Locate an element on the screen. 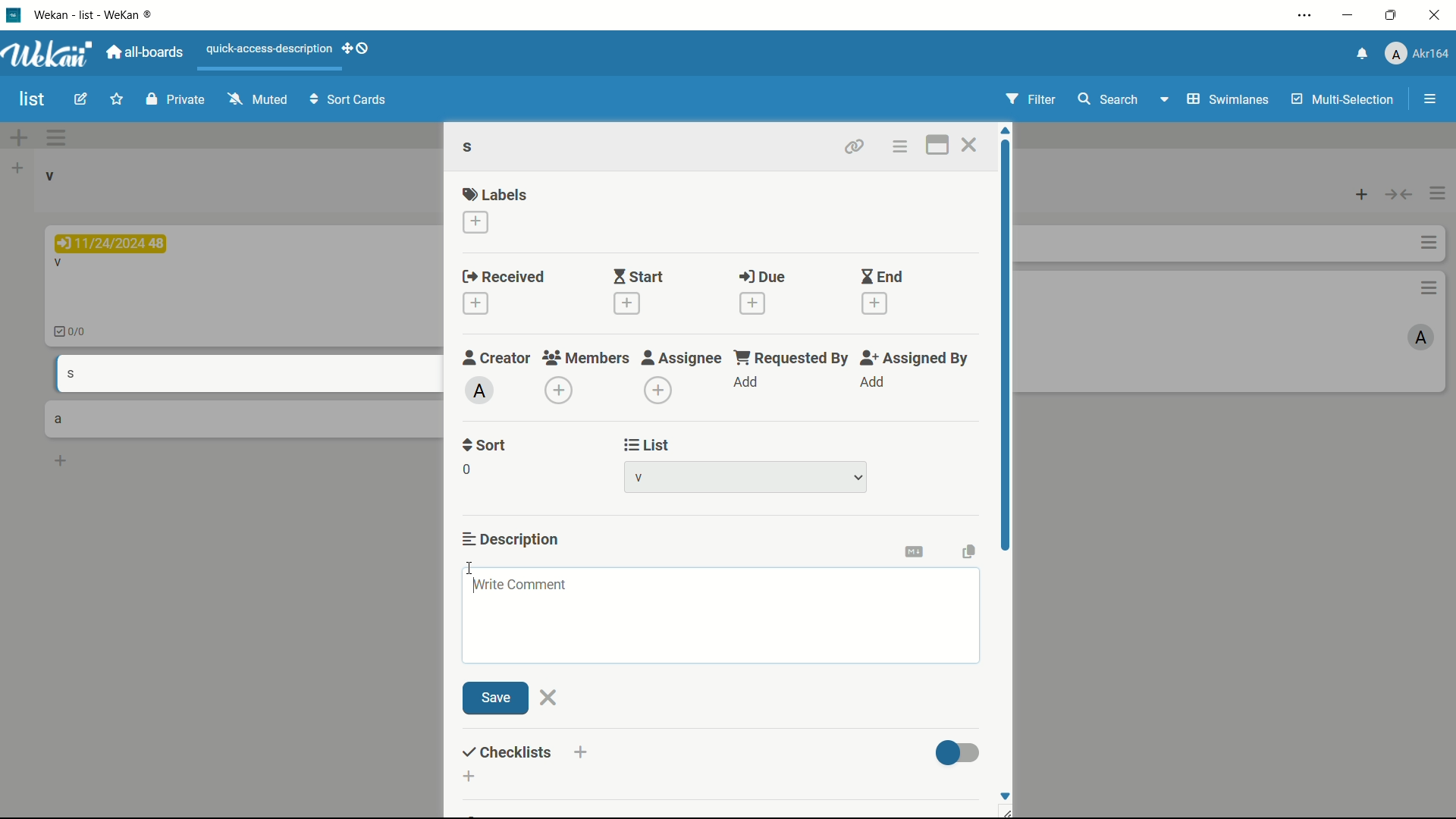 Image resolution: width=1456 pixels, height=819 pixels. app icon is located at coordinates (15, 15).